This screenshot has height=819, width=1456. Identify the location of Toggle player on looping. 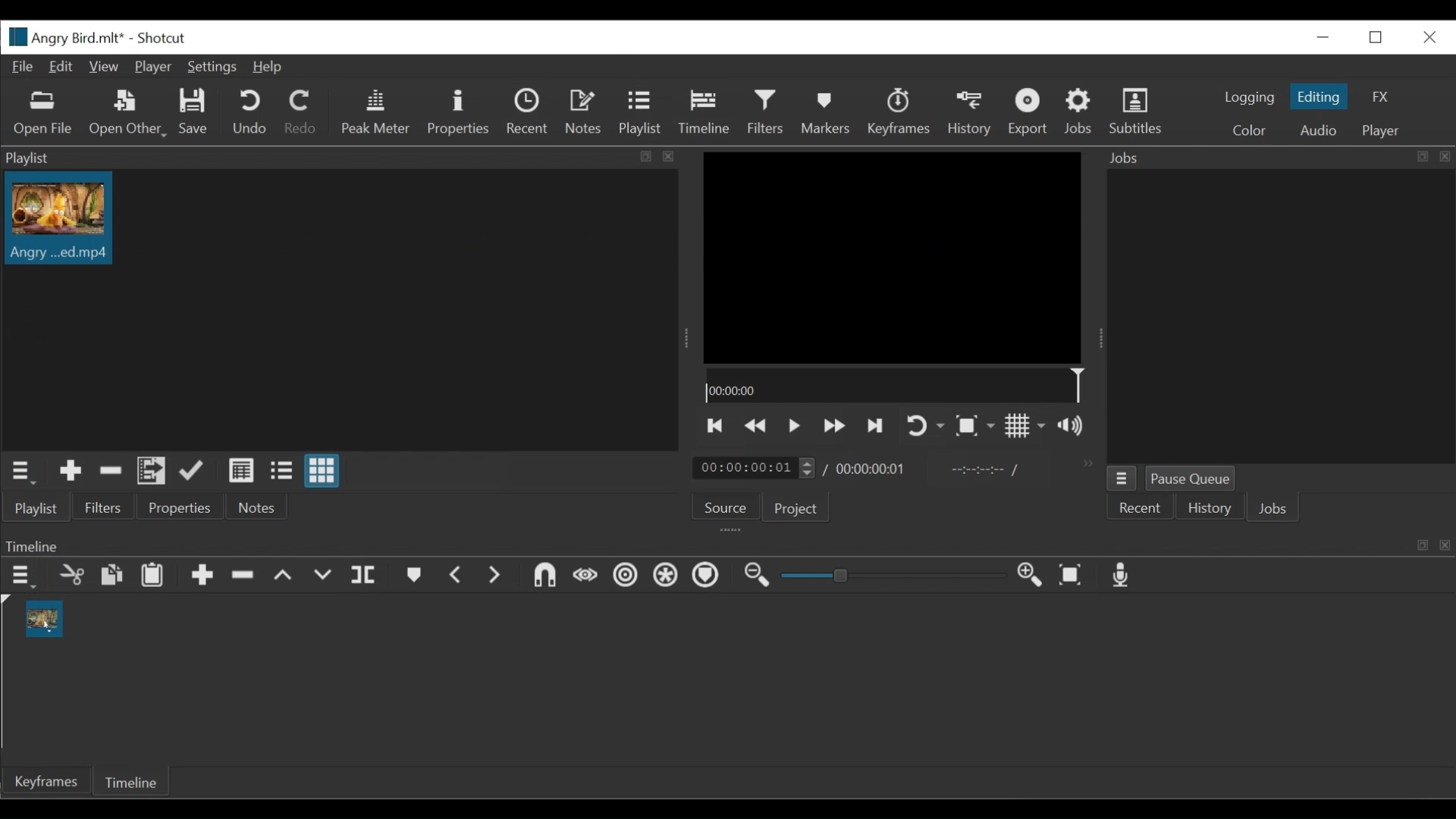
(927, 426).